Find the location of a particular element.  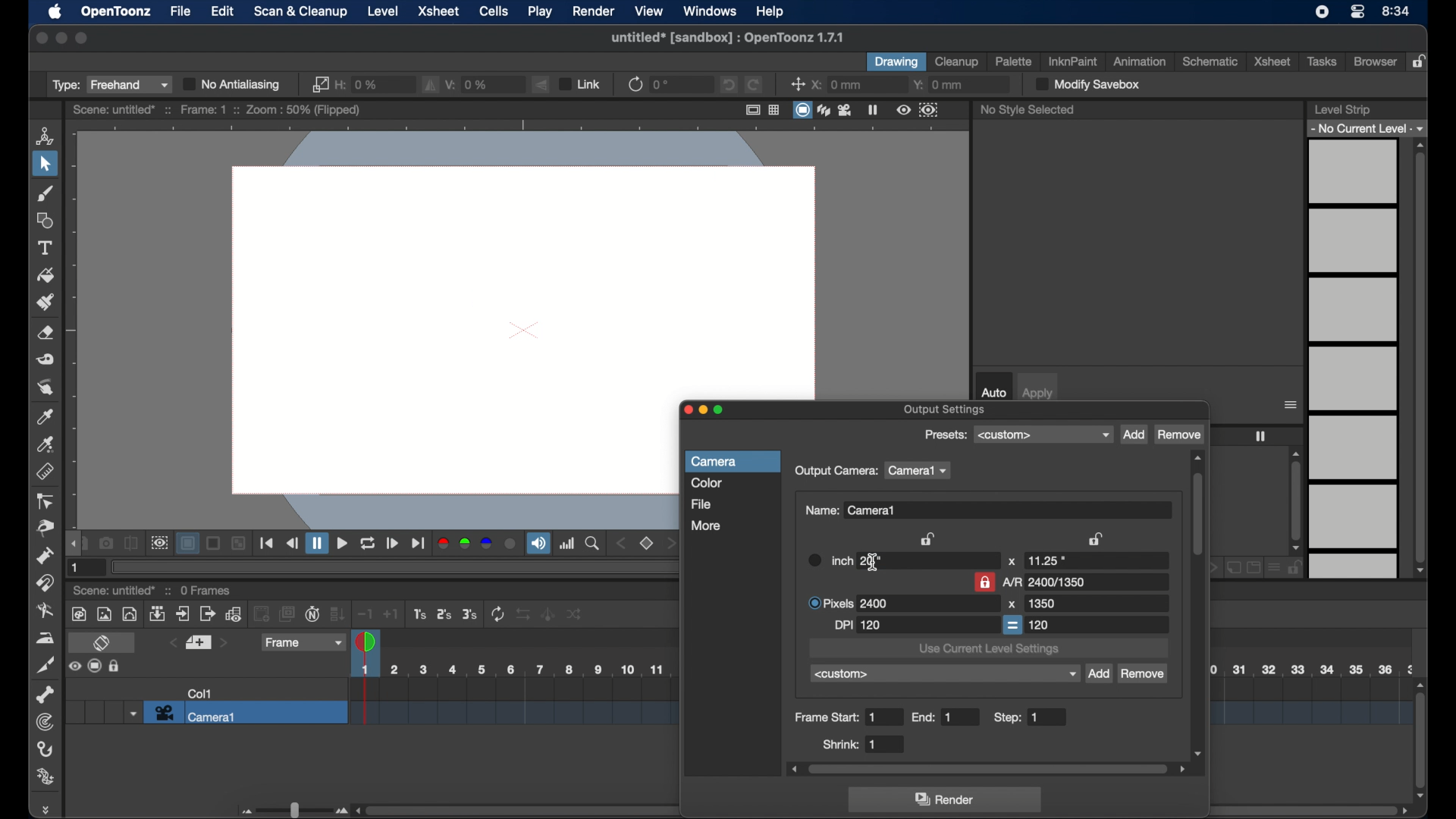

cutter tool is located at coordinates (46, 667).